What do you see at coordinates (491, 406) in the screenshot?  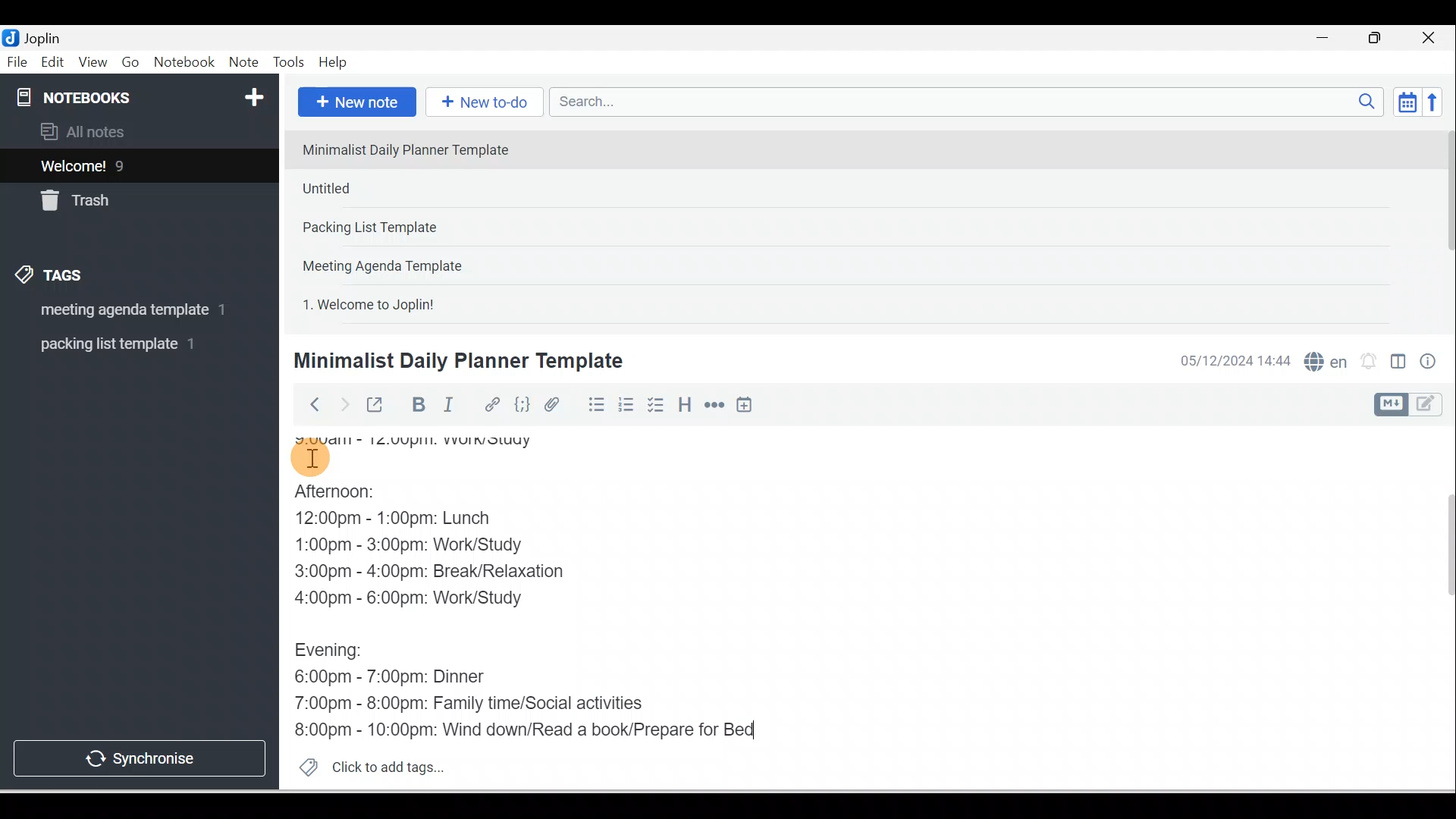 I see `Hyperlink` at bounding box center [491, 406].